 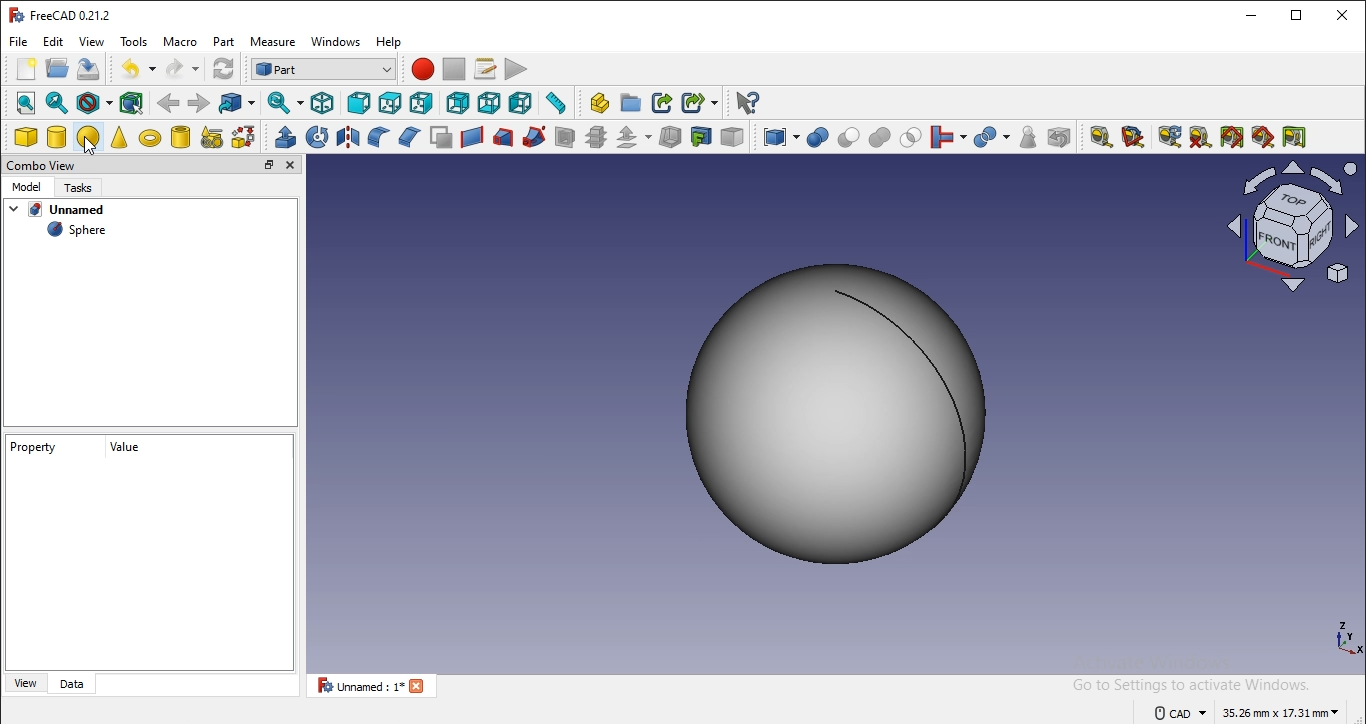 What do you see at coordinates (90, 103) in the screenshot?
I see `draw style` at bounding box center [90, 103].